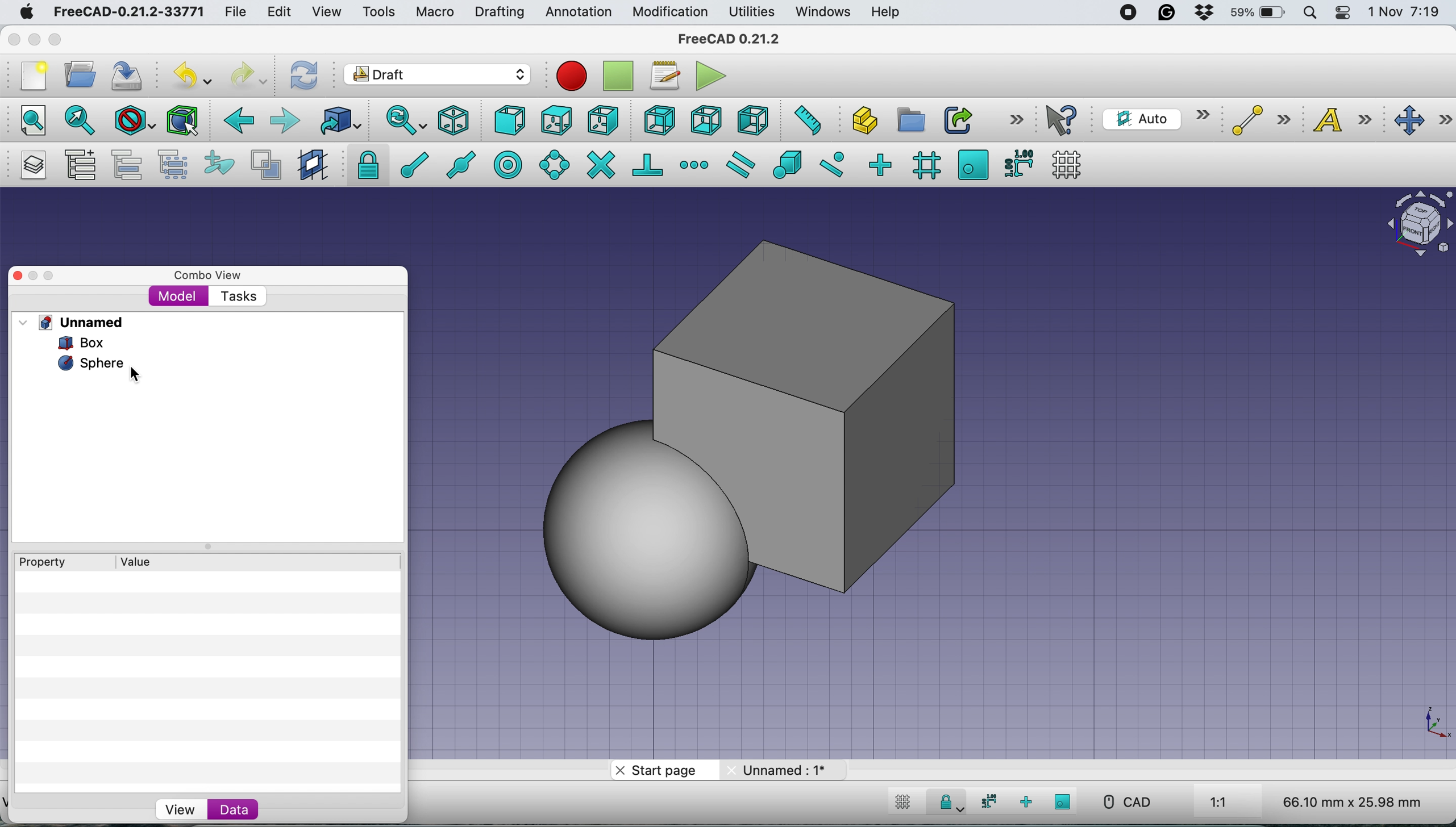 This screenshot has height=827, width=1456. Describe the element at coordinates (1343, 12) in the screenshot. I see `control center` at that location.